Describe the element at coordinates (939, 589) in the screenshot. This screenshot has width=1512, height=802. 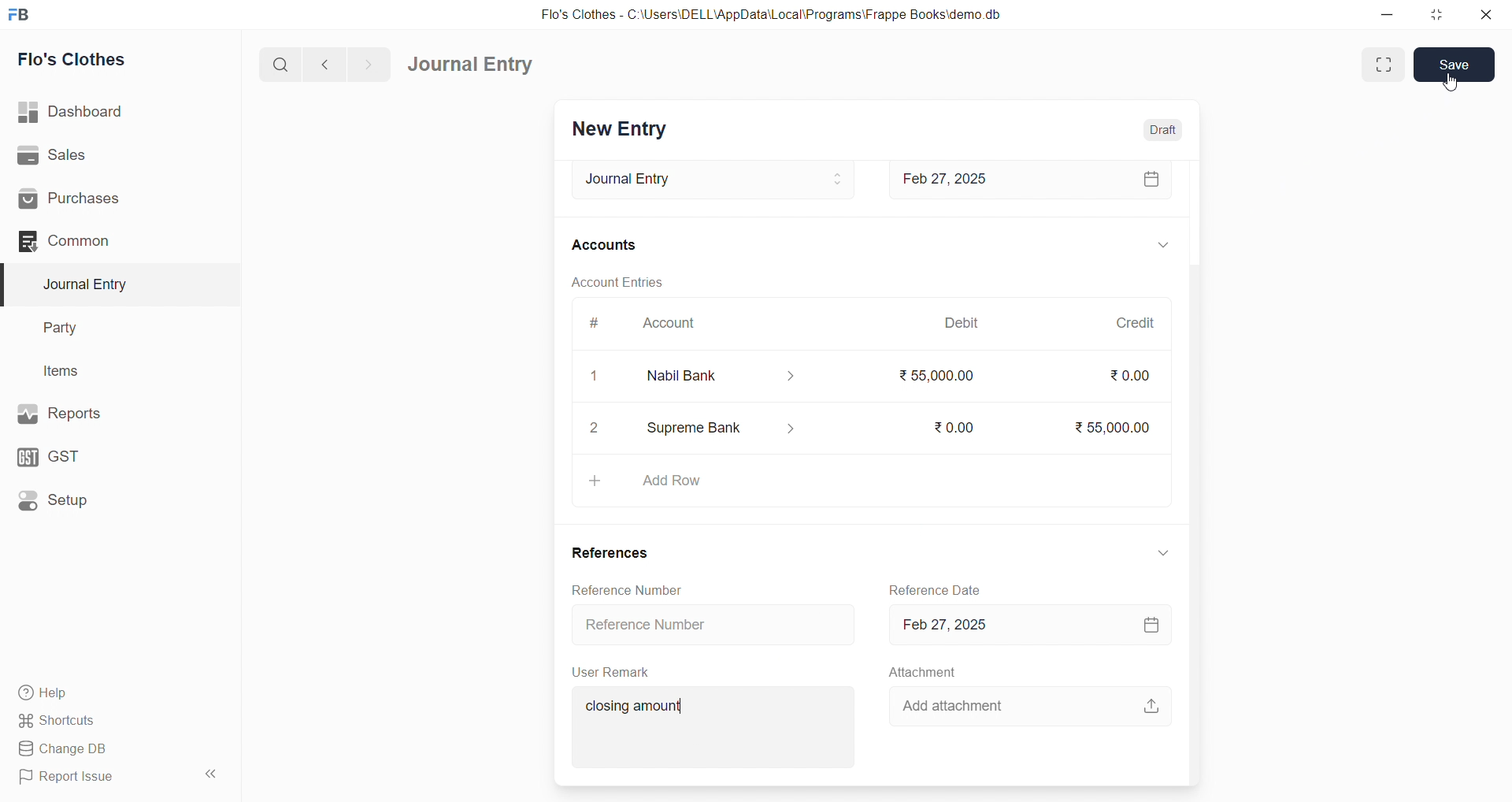
I see `Reference Date` at that location.